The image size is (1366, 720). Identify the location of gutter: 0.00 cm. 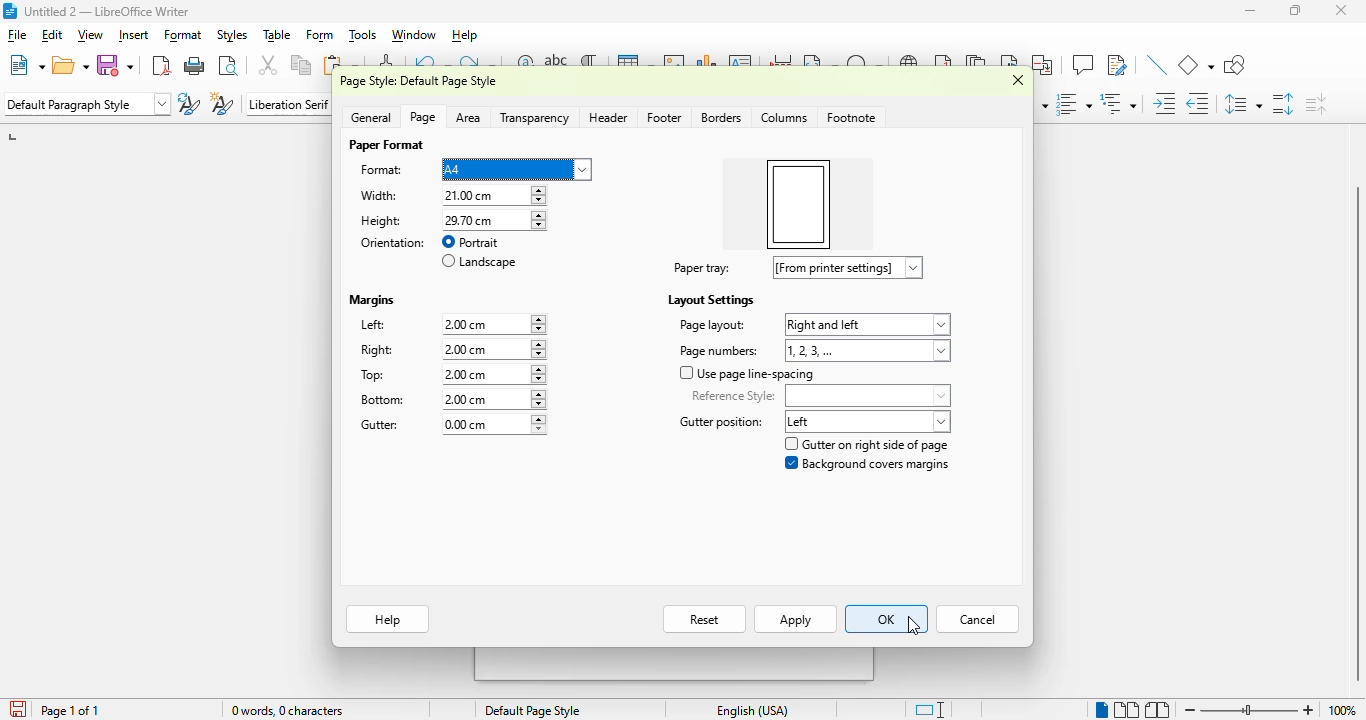
(448, 425).